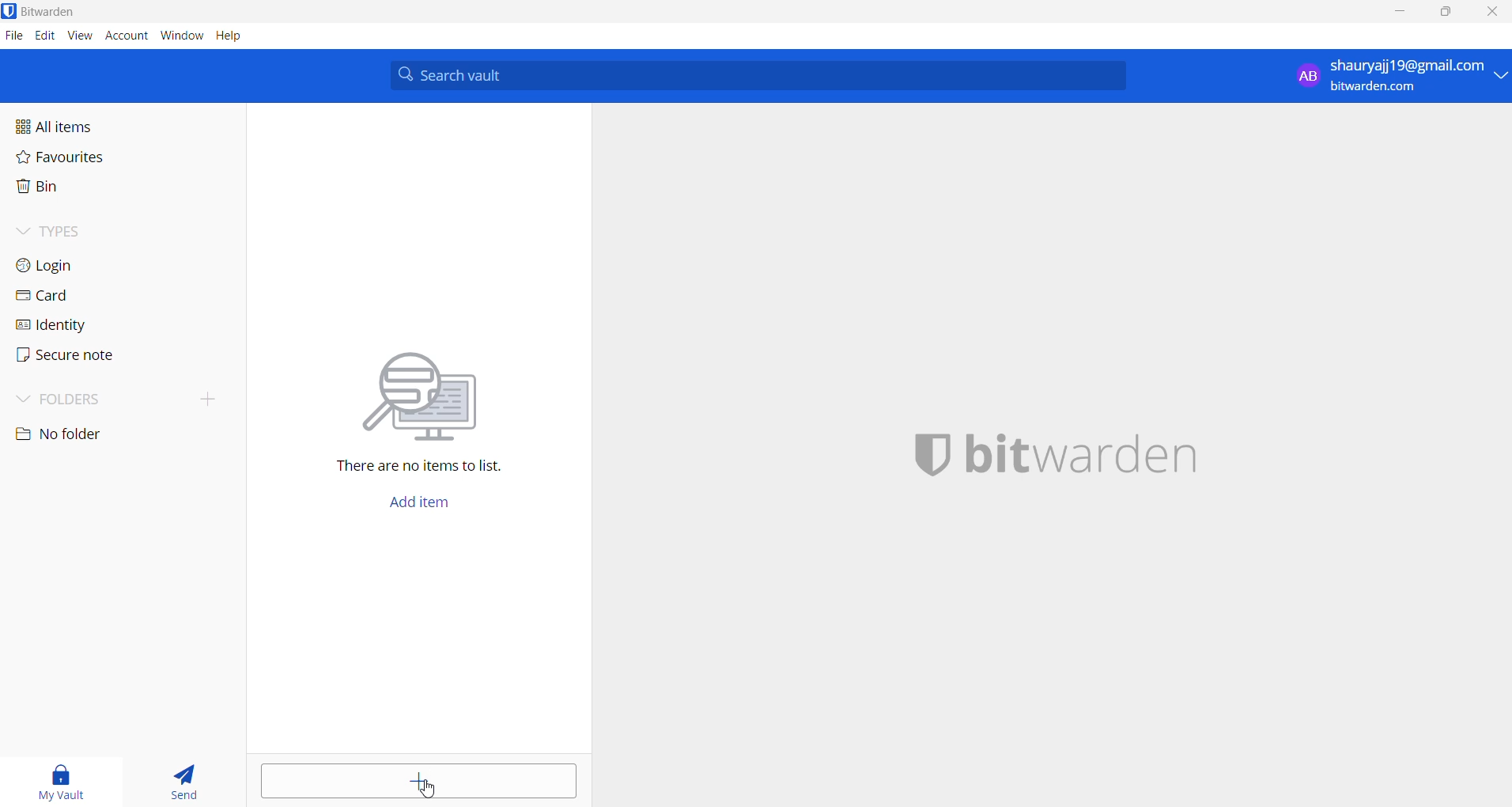  Describe the element at coordinates (1443, 13) in the screenshot. I see `maximize` at that location.